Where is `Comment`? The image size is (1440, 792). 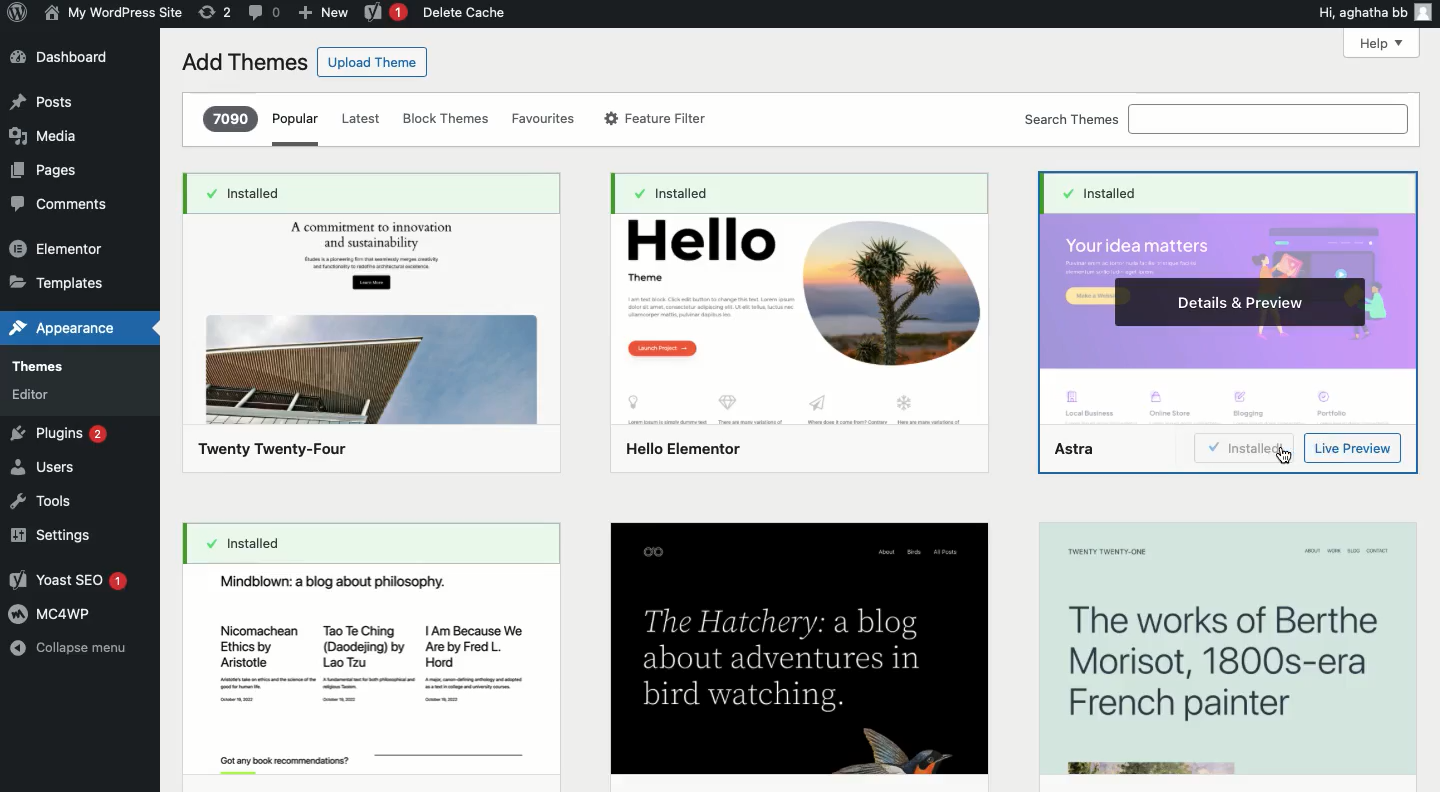
Comment is located at coordinates (60, 208).